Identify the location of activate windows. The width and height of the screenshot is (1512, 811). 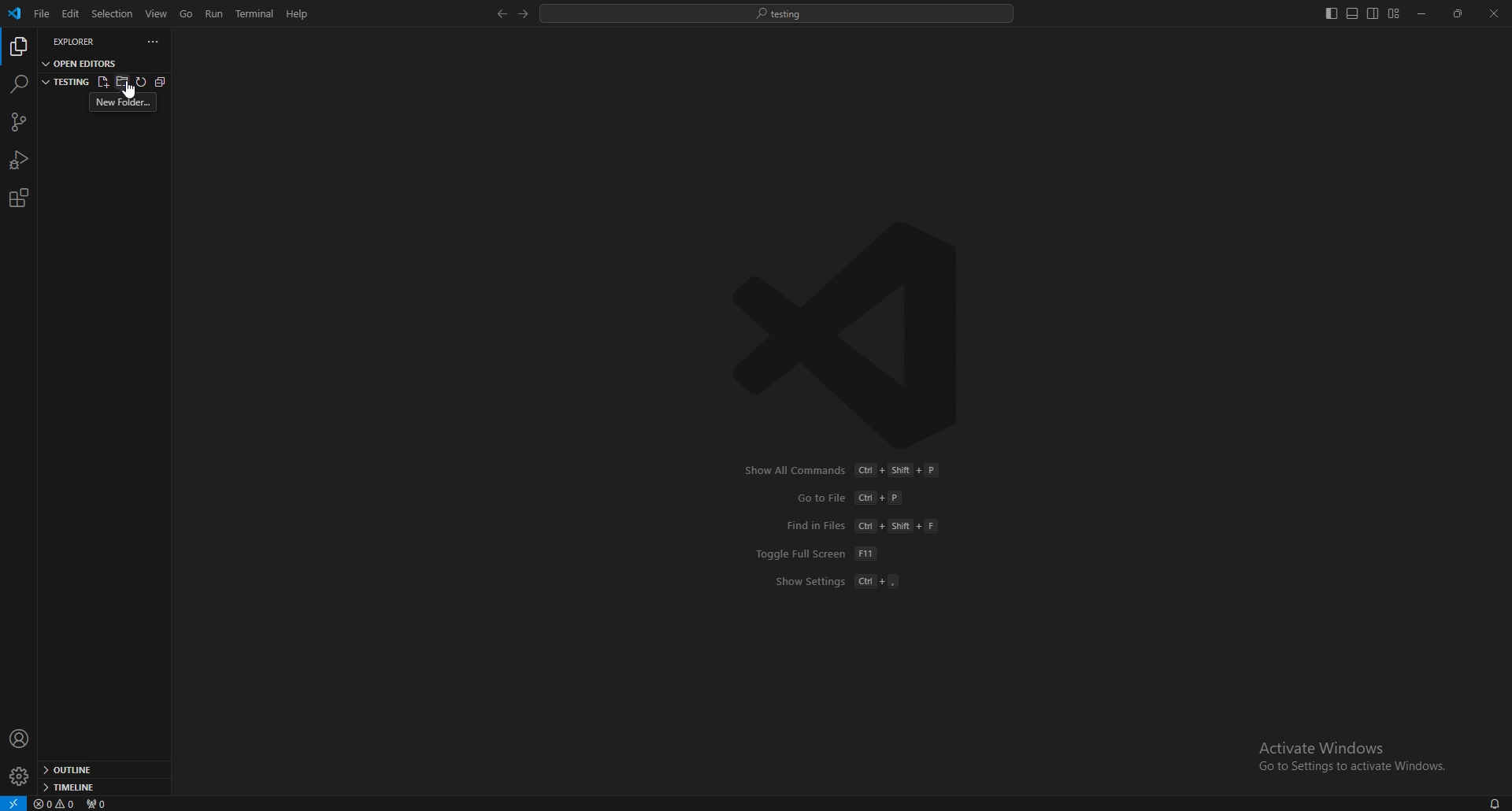
(1347, 749).